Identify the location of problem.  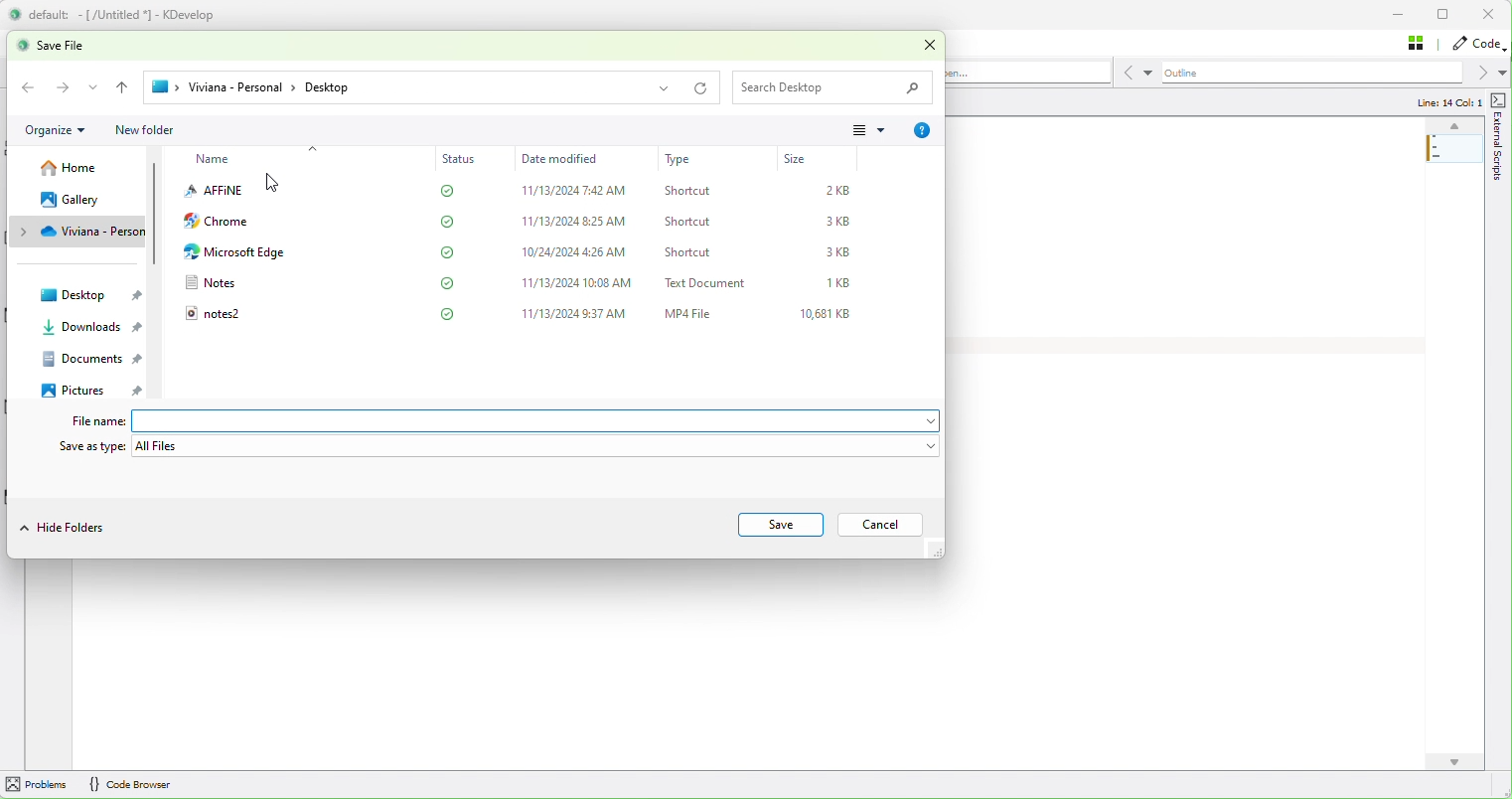
(36, 783).